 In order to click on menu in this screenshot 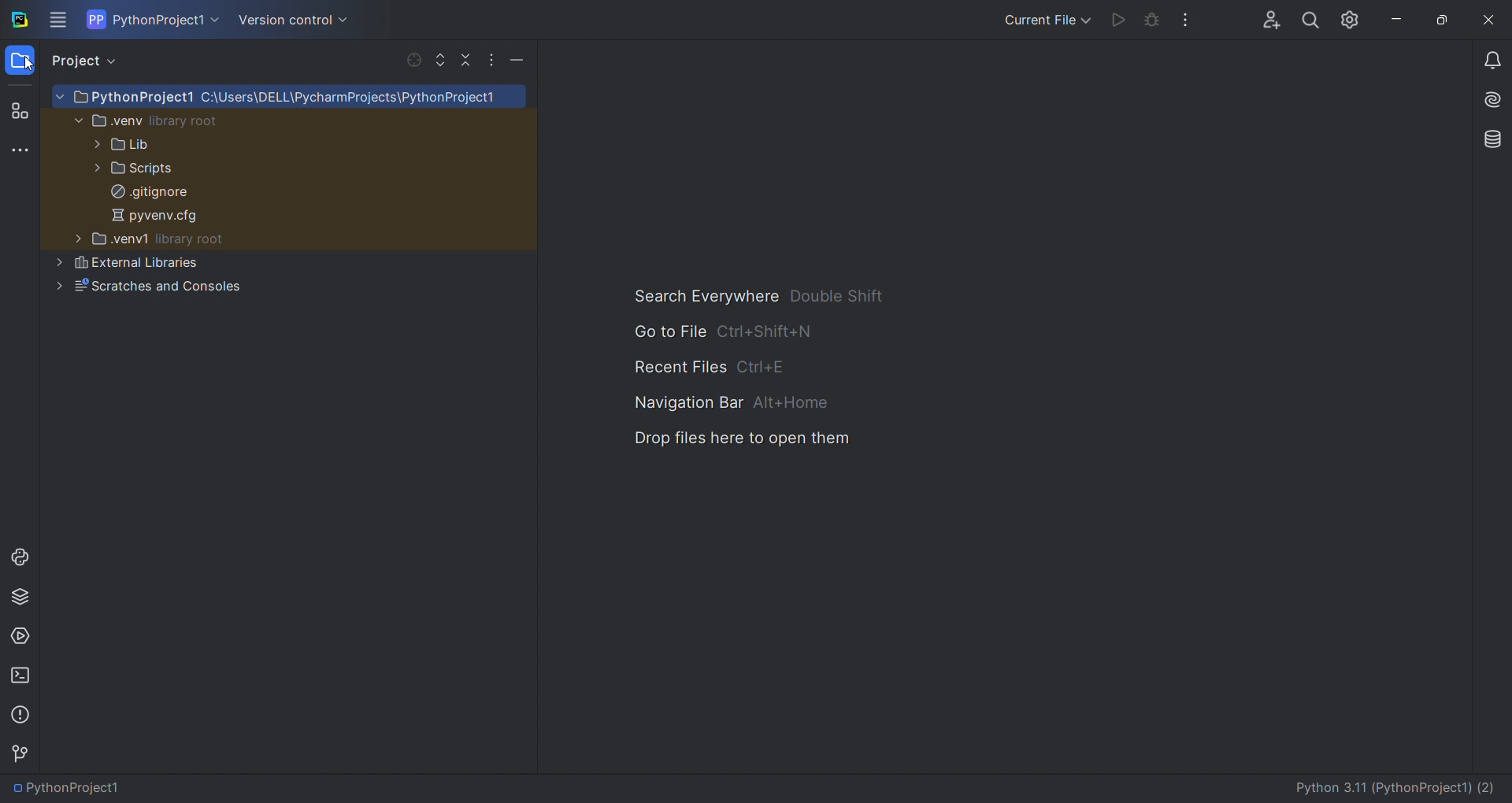, I will do `click(60, 21)`.